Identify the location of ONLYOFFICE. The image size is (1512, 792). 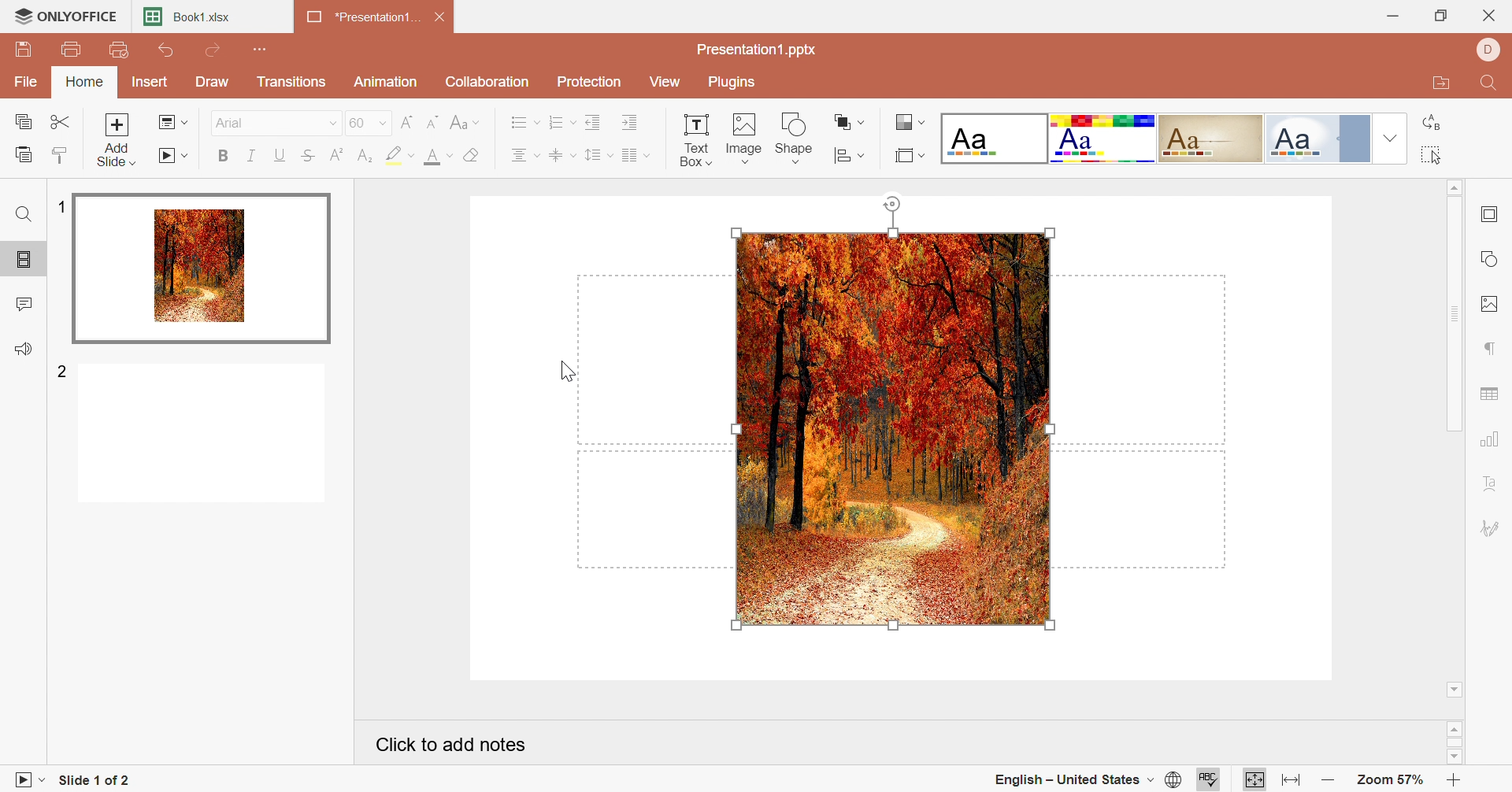
(66, 17).